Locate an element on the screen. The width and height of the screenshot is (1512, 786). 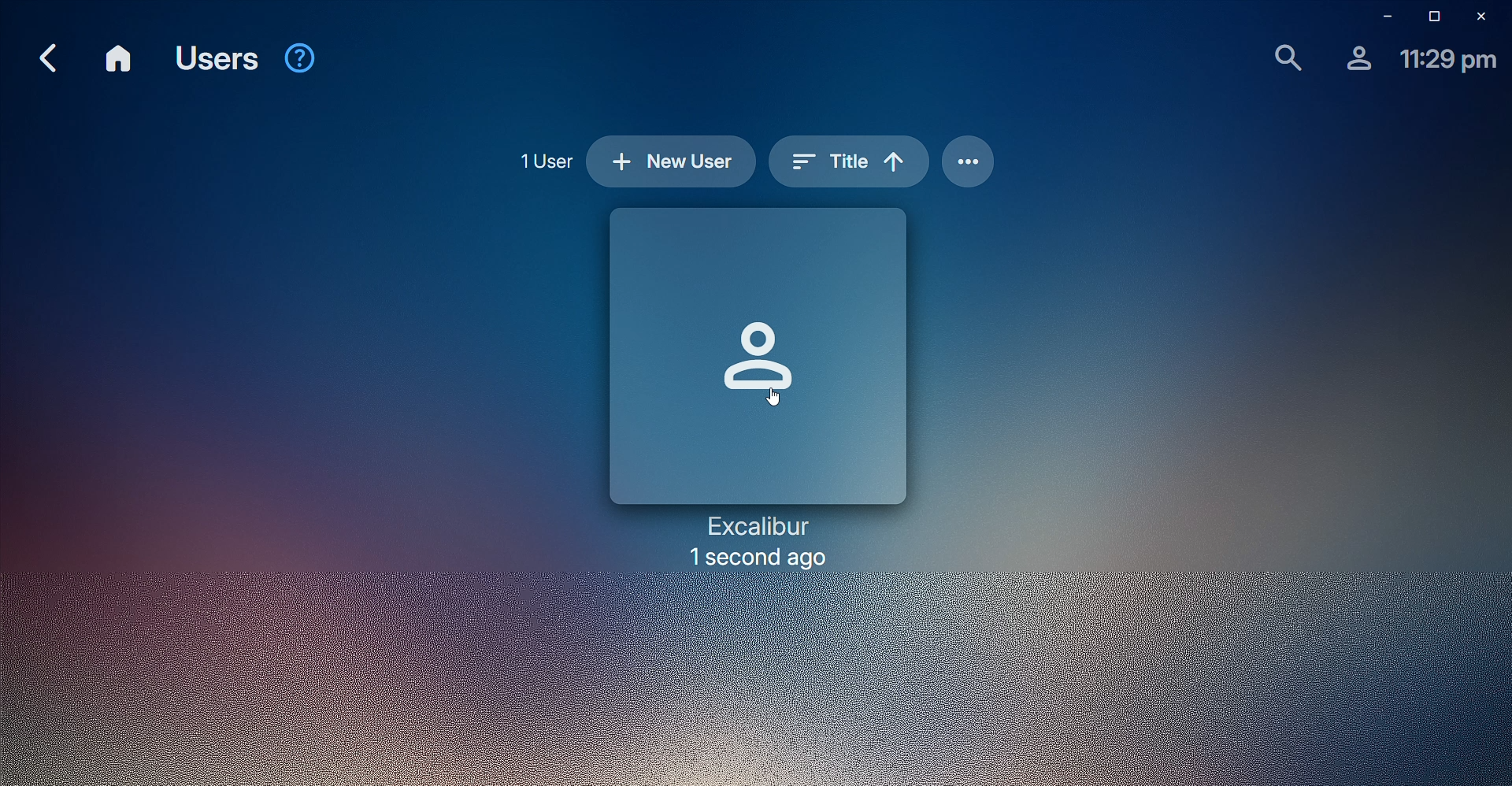
1 User is located at coordinates (543, 162).